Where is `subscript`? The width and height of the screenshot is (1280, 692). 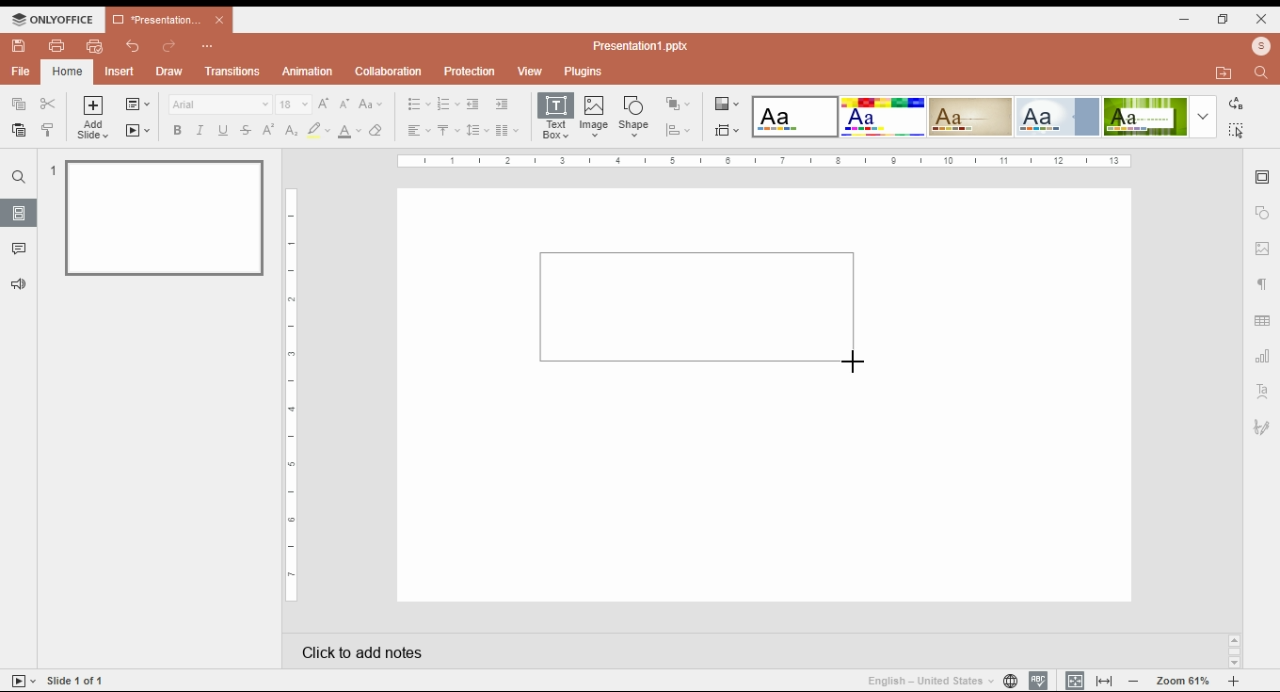
subscript is located at coordinates (291, 131).